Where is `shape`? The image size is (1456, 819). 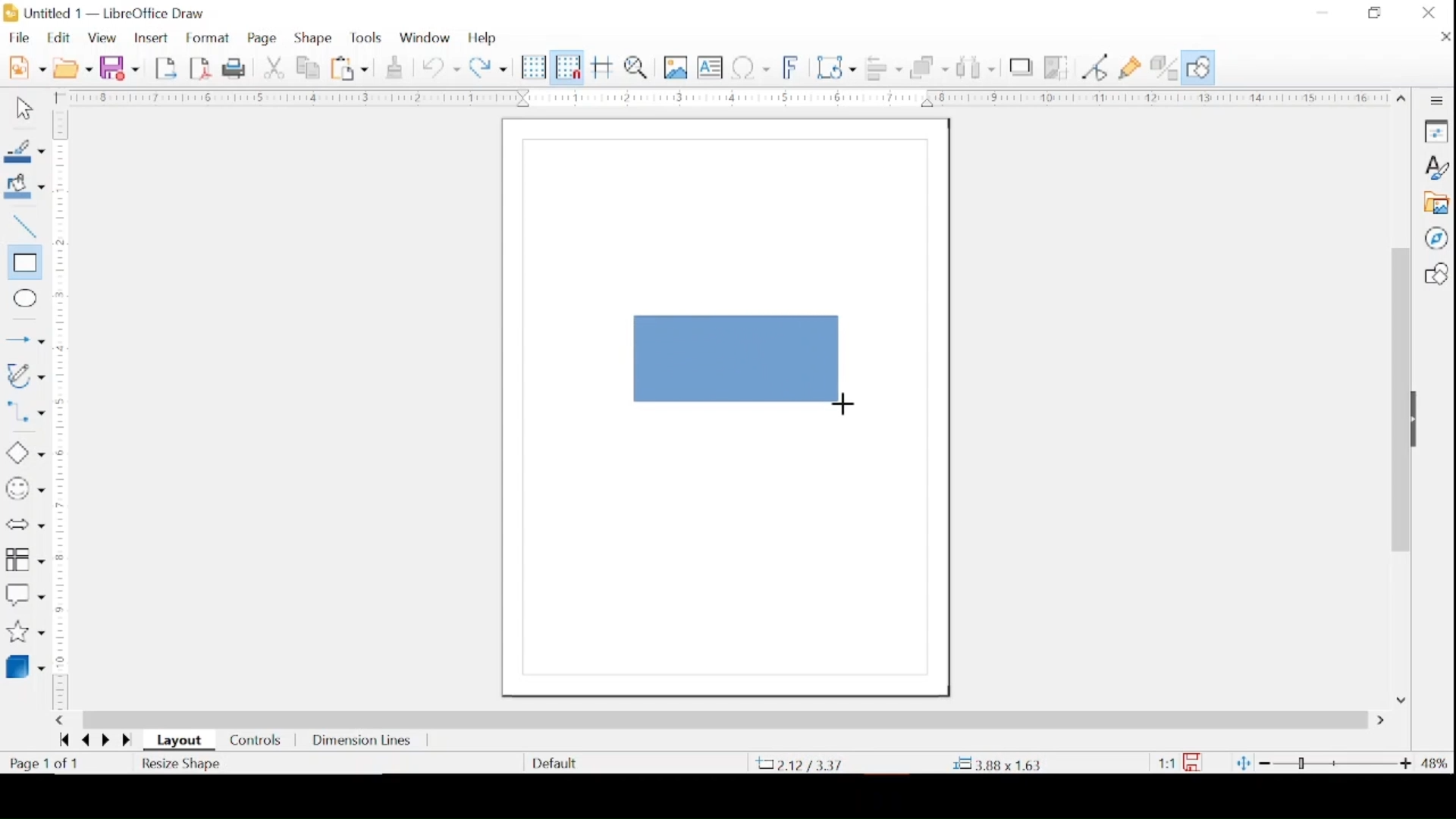
shape is located at coordinates (314, 38).